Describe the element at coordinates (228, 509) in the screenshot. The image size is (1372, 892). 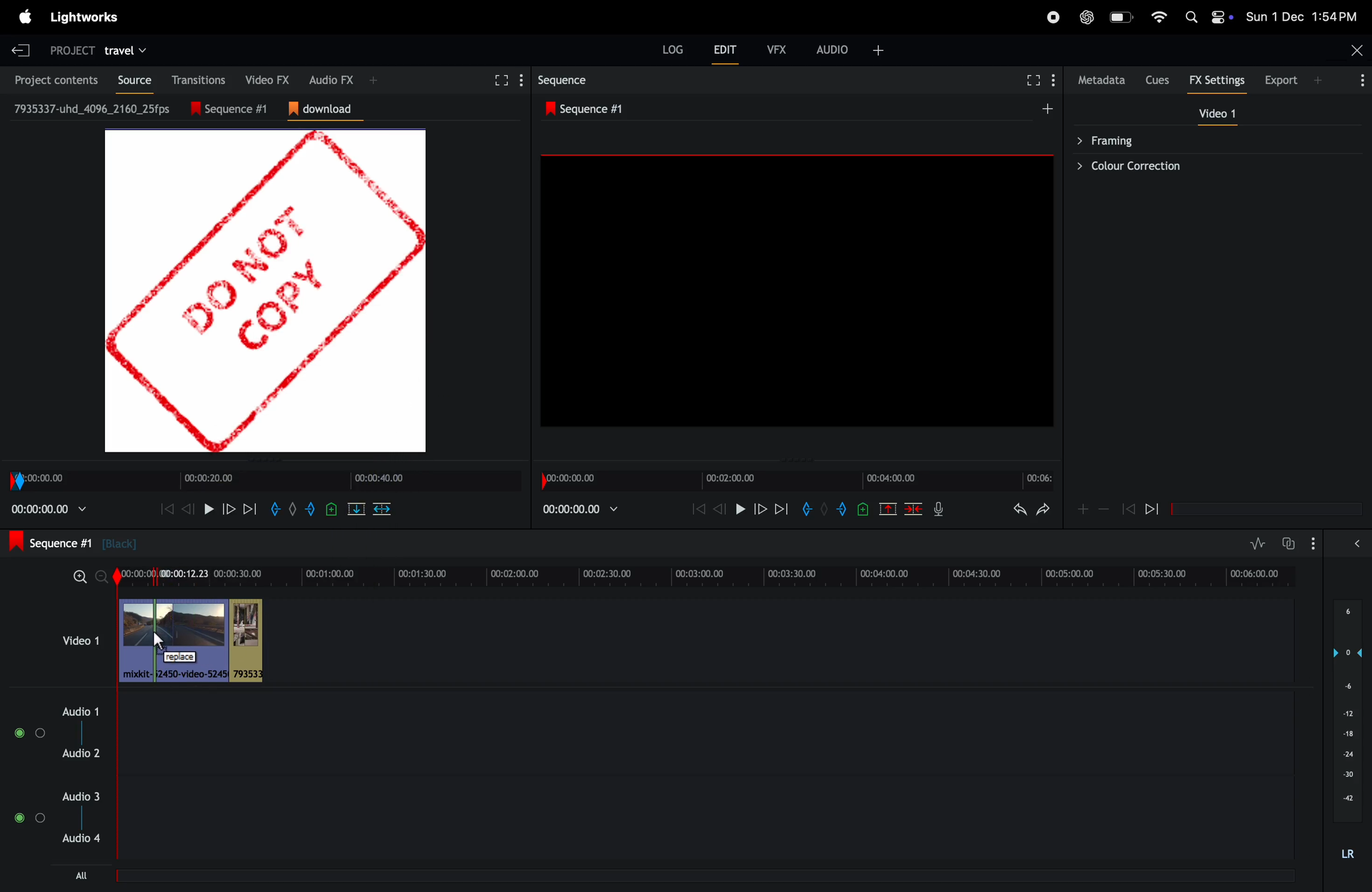
I see `forward` at that location.